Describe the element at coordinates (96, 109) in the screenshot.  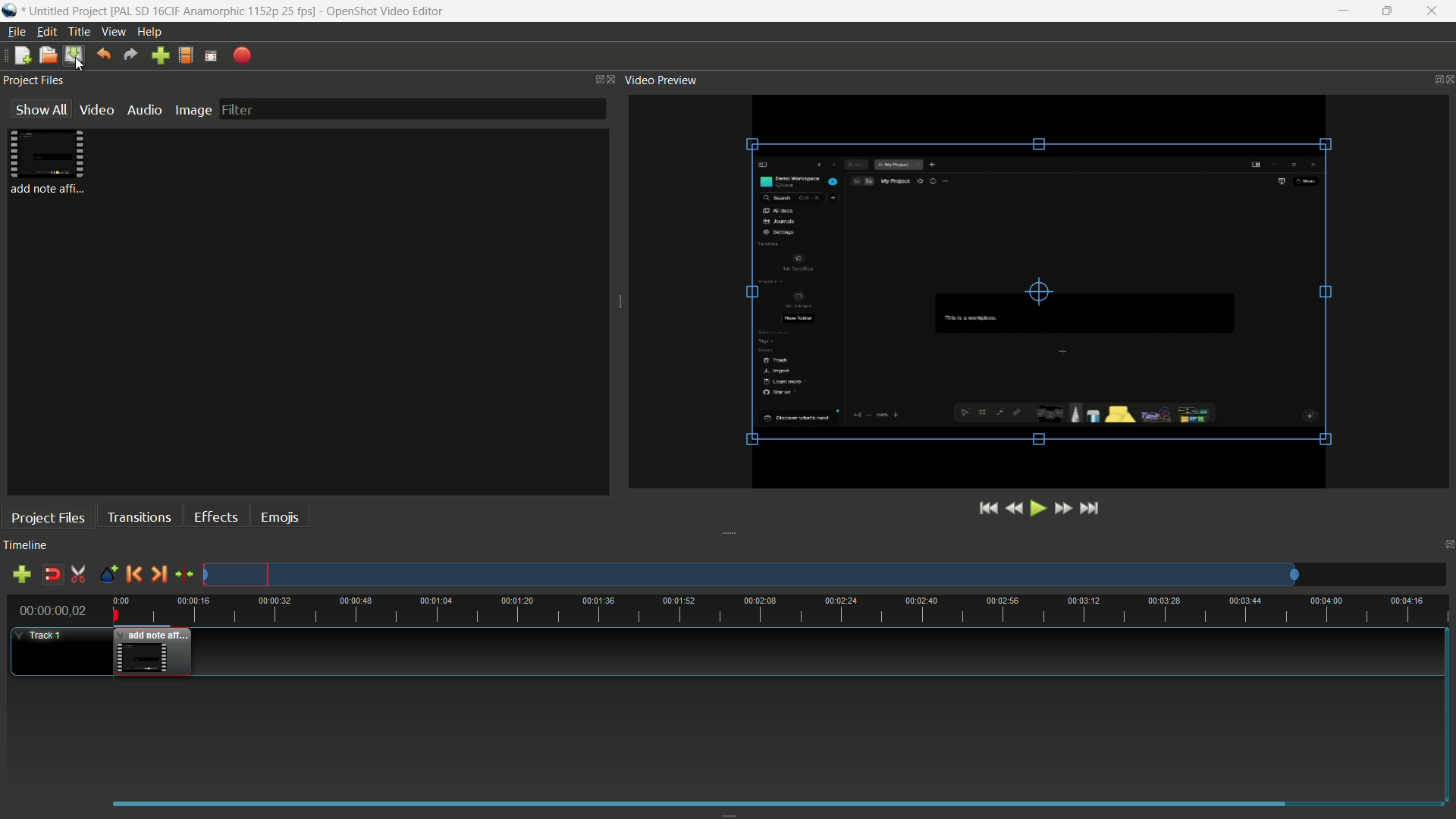
I see `video` at that location.